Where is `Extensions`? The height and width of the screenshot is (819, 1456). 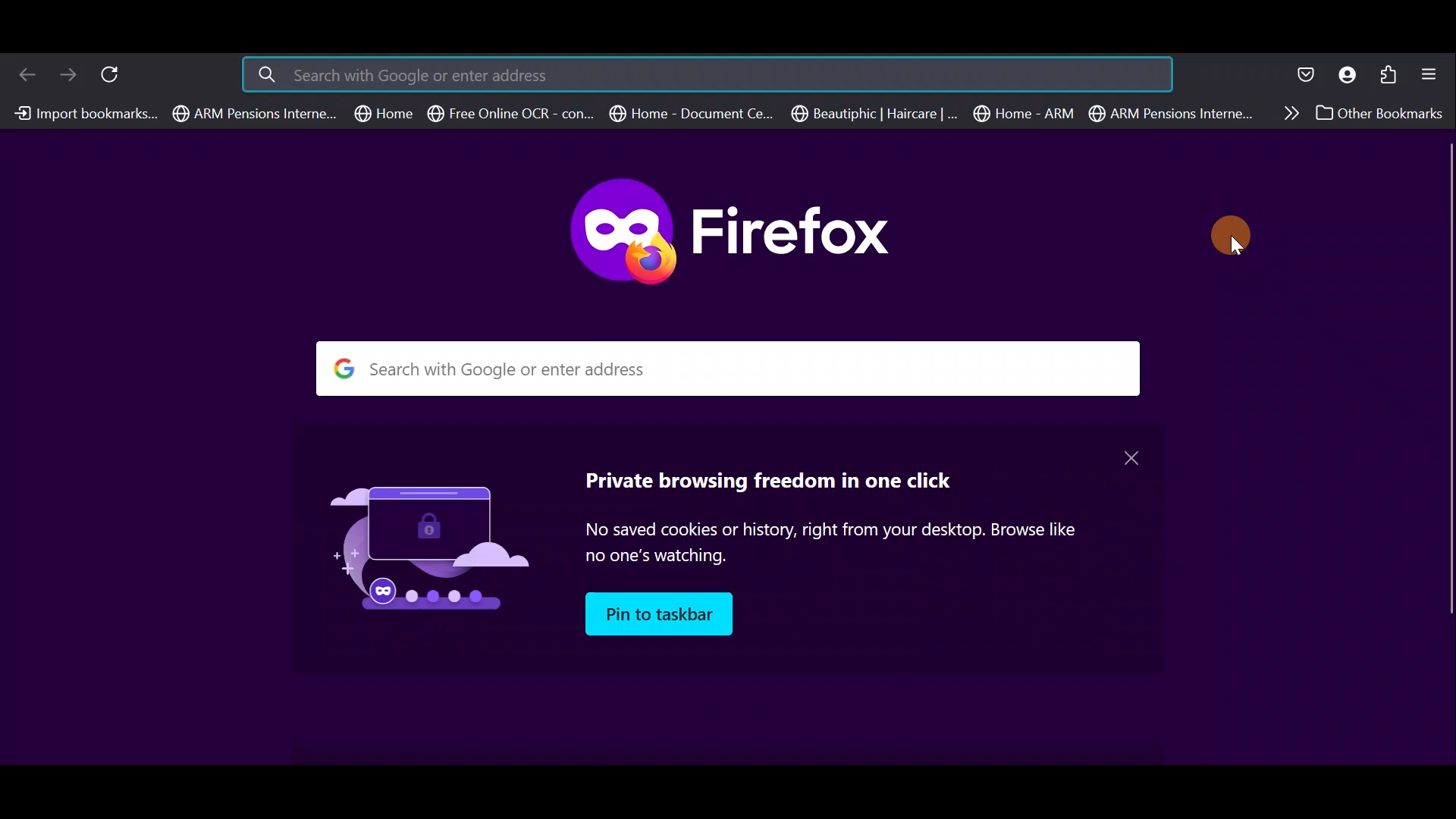
Extensions is located at coordinates (1390, 74).